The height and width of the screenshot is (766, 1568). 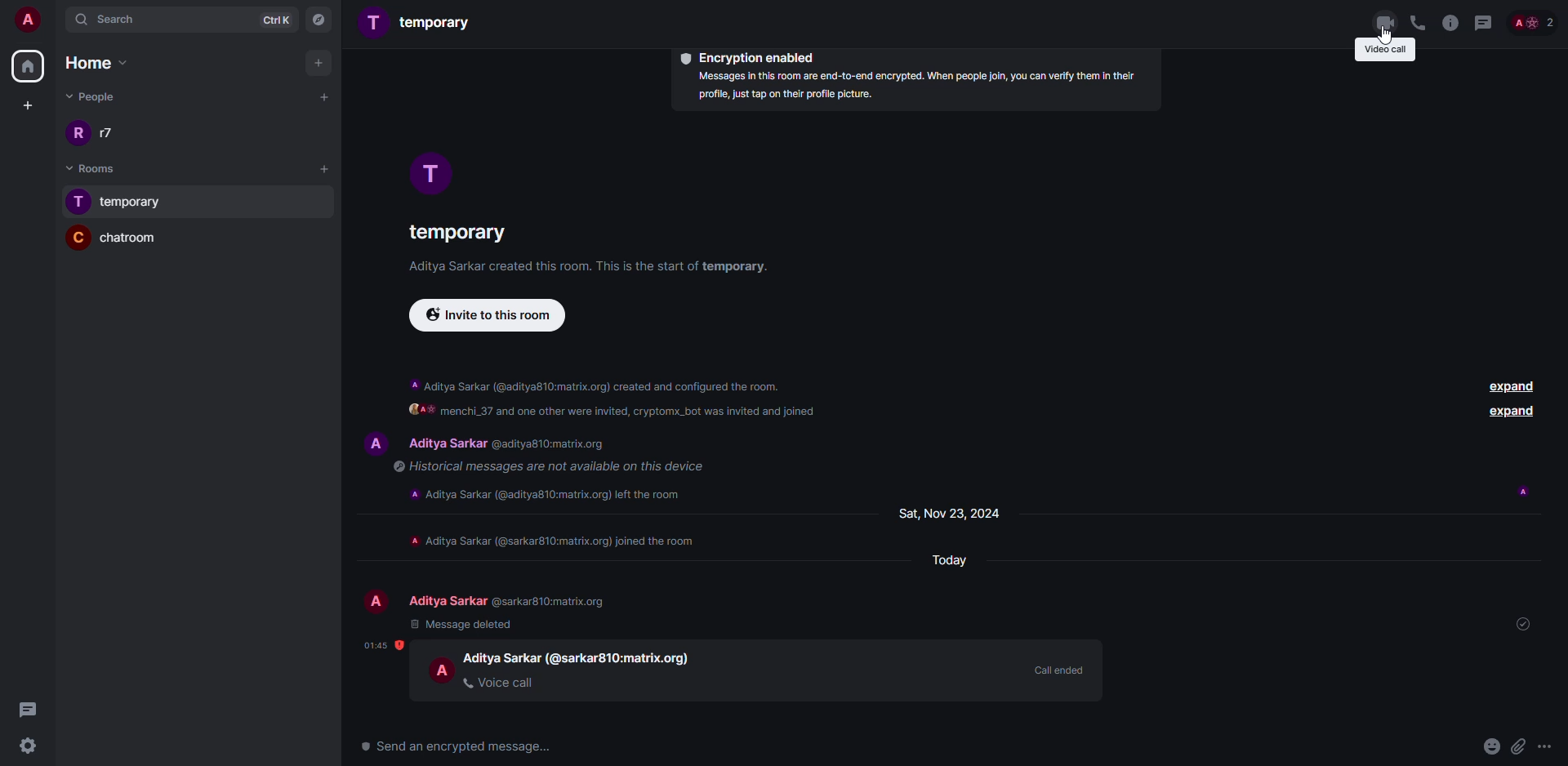 What do you see at coordinates (945, 559) in the screenshot?
I see `day` at bounding box center [945, 559].